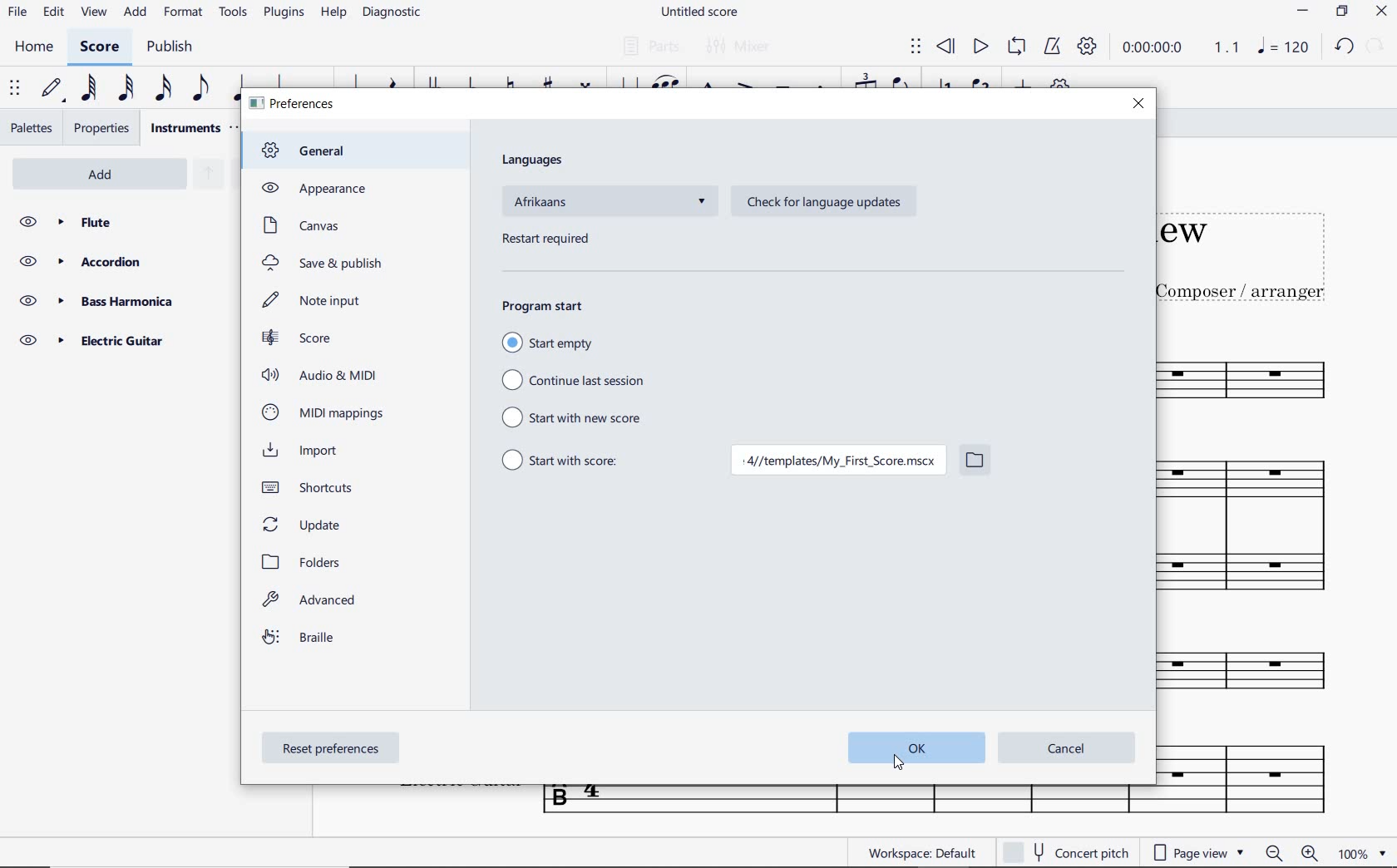  What do you see at coordinates (102, 47) in the screenshot?
I see `score` at bounding box center [102, 47].